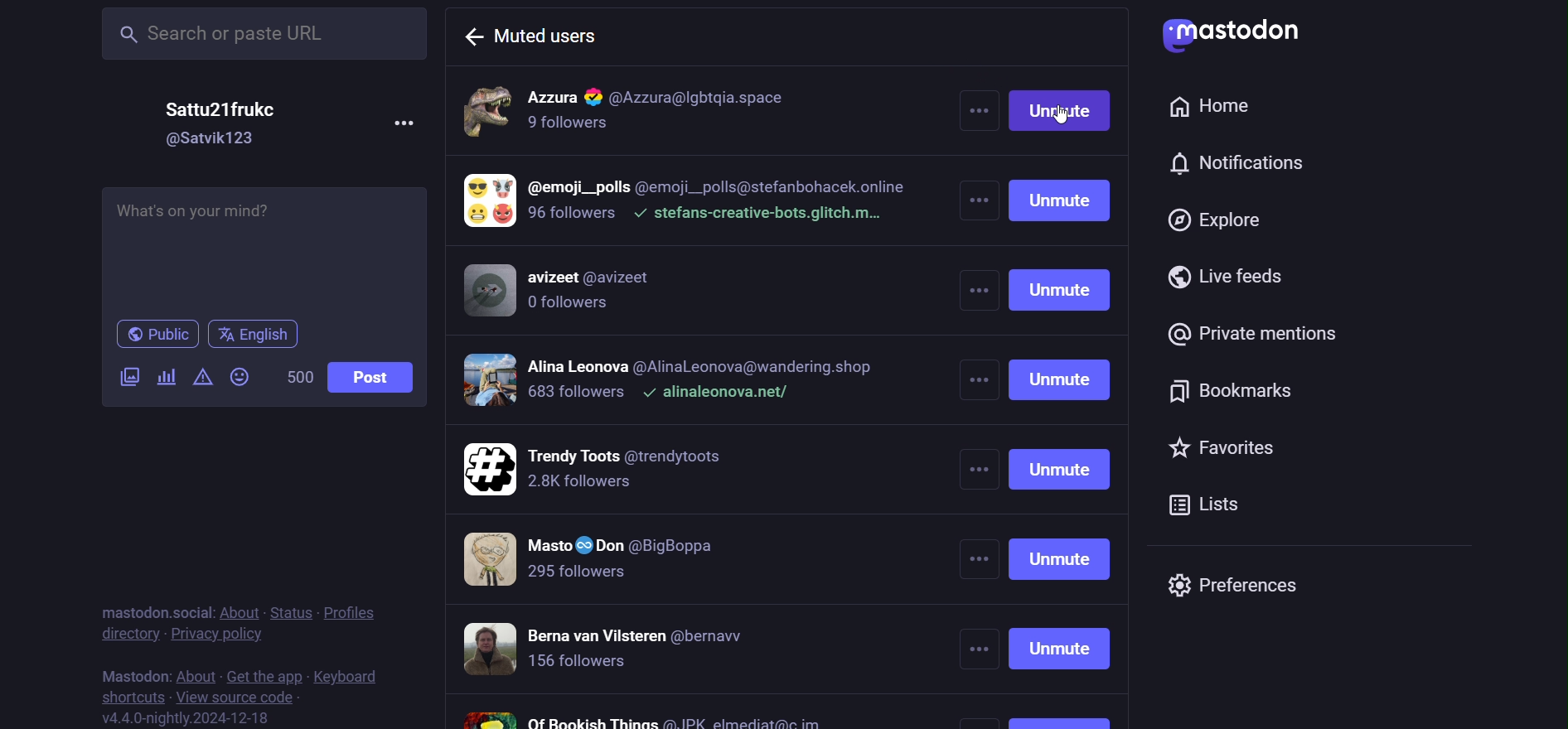 This screenshot has width=1568, height=729. Describe the element at coordinates (160, 335) in the screenshot. I see `public` at that location.